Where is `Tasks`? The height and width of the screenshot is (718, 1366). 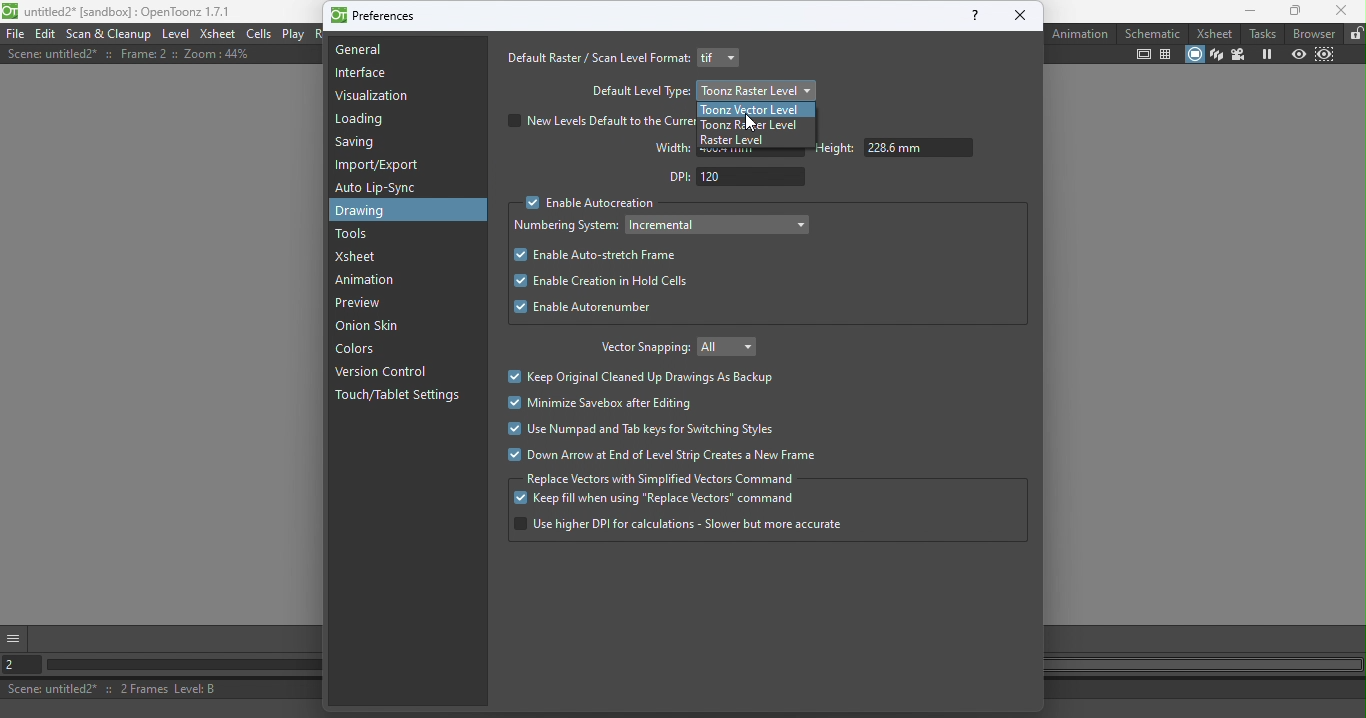
Tasks is located at coordinates (1262, 32).